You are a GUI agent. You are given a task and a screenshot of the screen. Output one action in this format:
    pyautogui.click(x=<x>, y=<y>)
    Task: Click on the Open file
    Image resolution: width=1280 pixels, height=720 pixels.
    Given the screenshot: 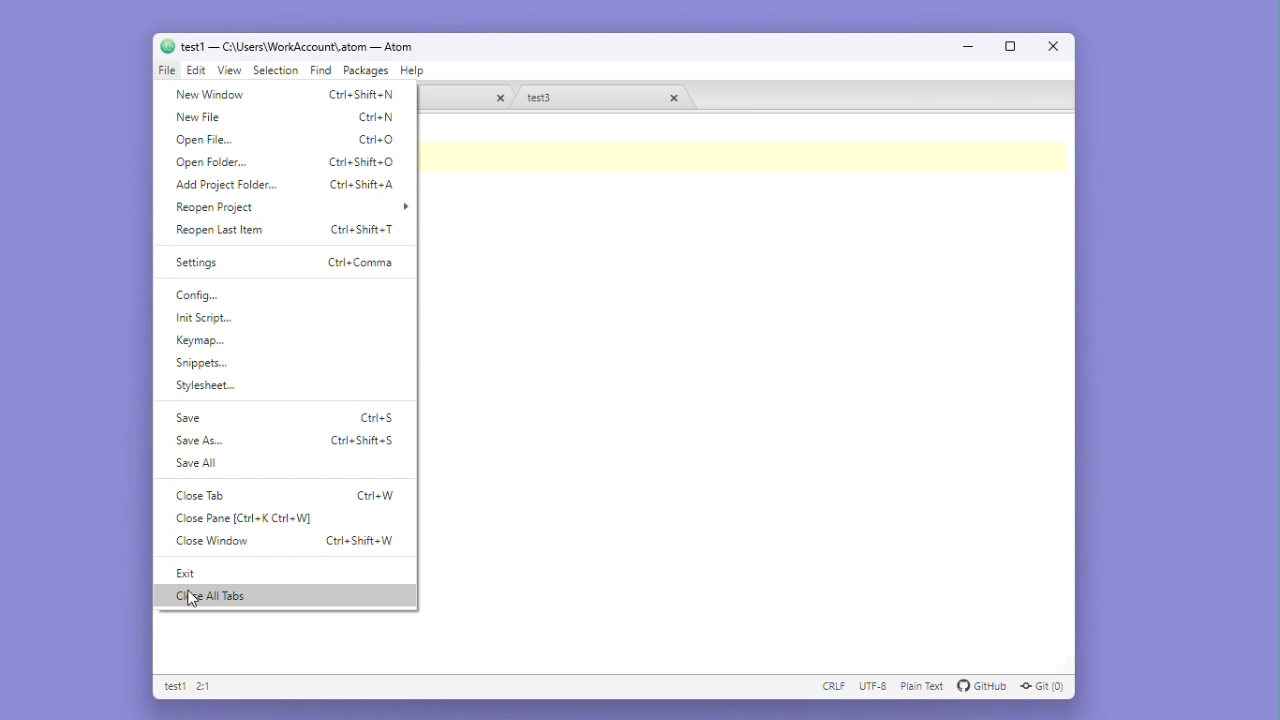 What is the action you would take?
    pyautogui.click(x=213, y=141)
    